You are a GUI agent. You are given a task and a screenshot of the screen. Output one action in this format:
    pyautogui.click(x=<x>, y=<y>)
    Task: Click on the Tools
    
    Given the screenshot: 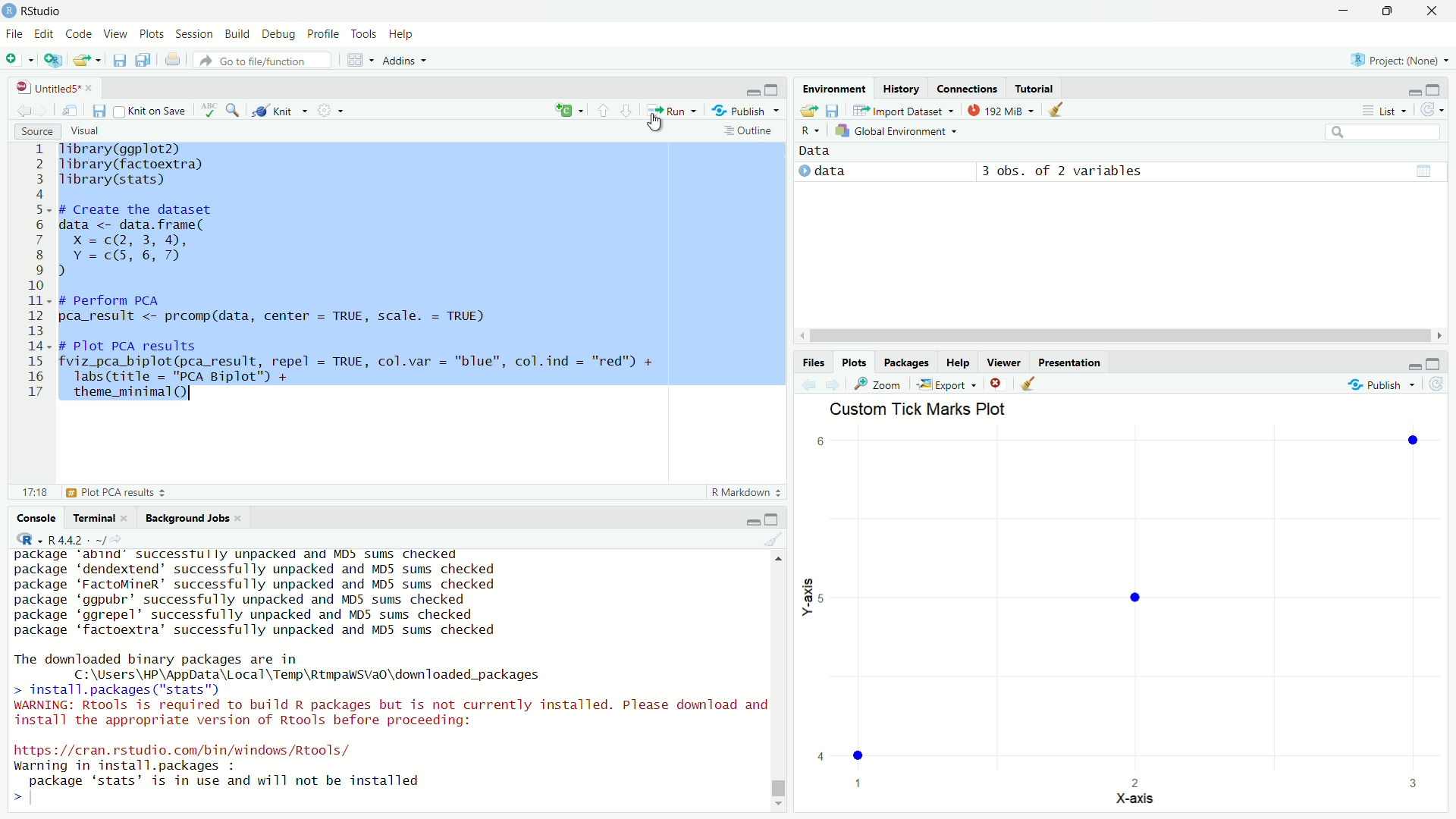 What is the action you would take?
    pyautogui.click(x=365, y=35)
    